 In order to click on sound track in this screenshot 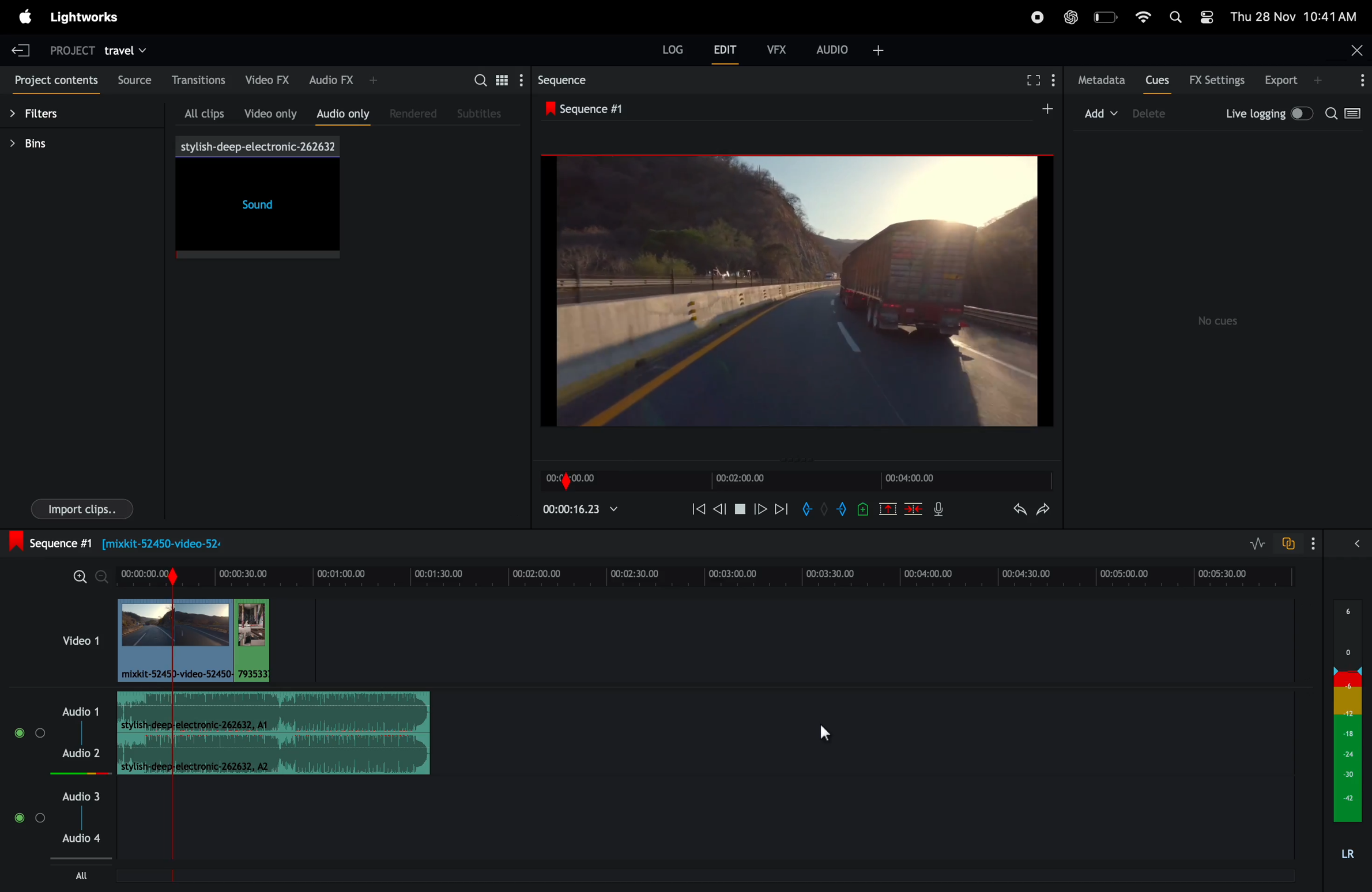, I will do `click(276, 731)`.